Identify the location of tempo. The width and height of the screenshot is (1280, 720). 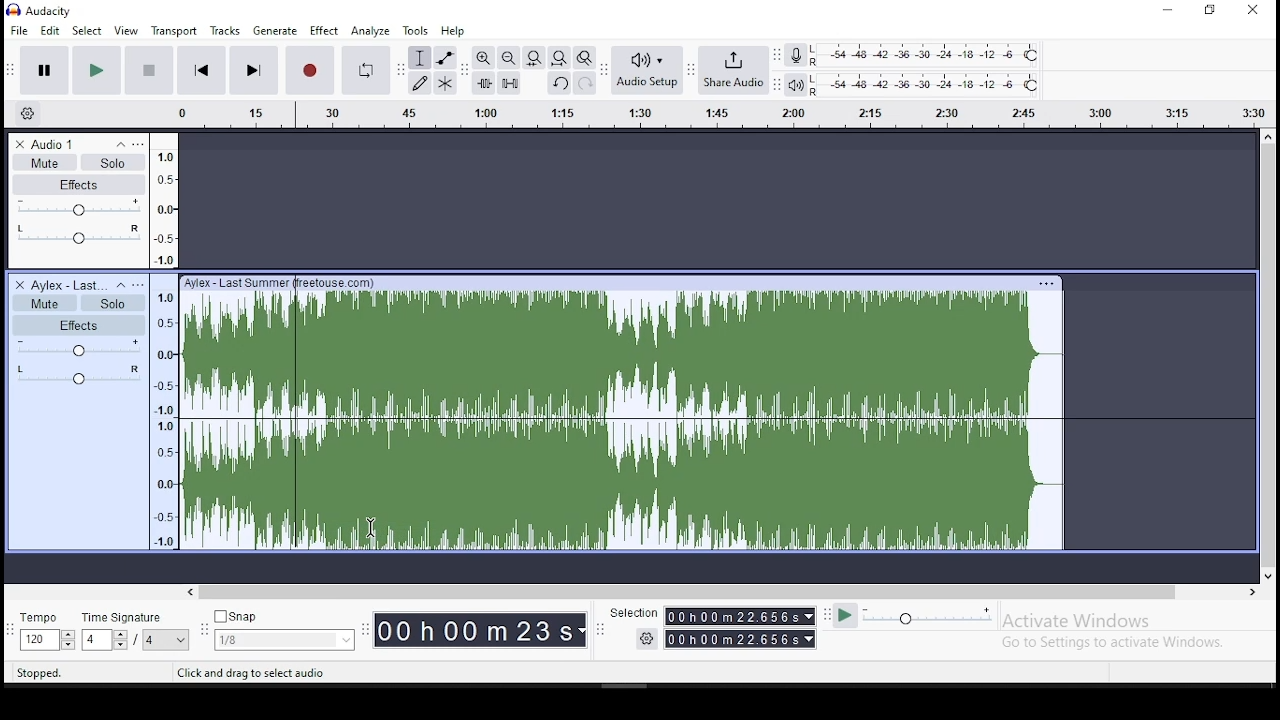
(44, 631).